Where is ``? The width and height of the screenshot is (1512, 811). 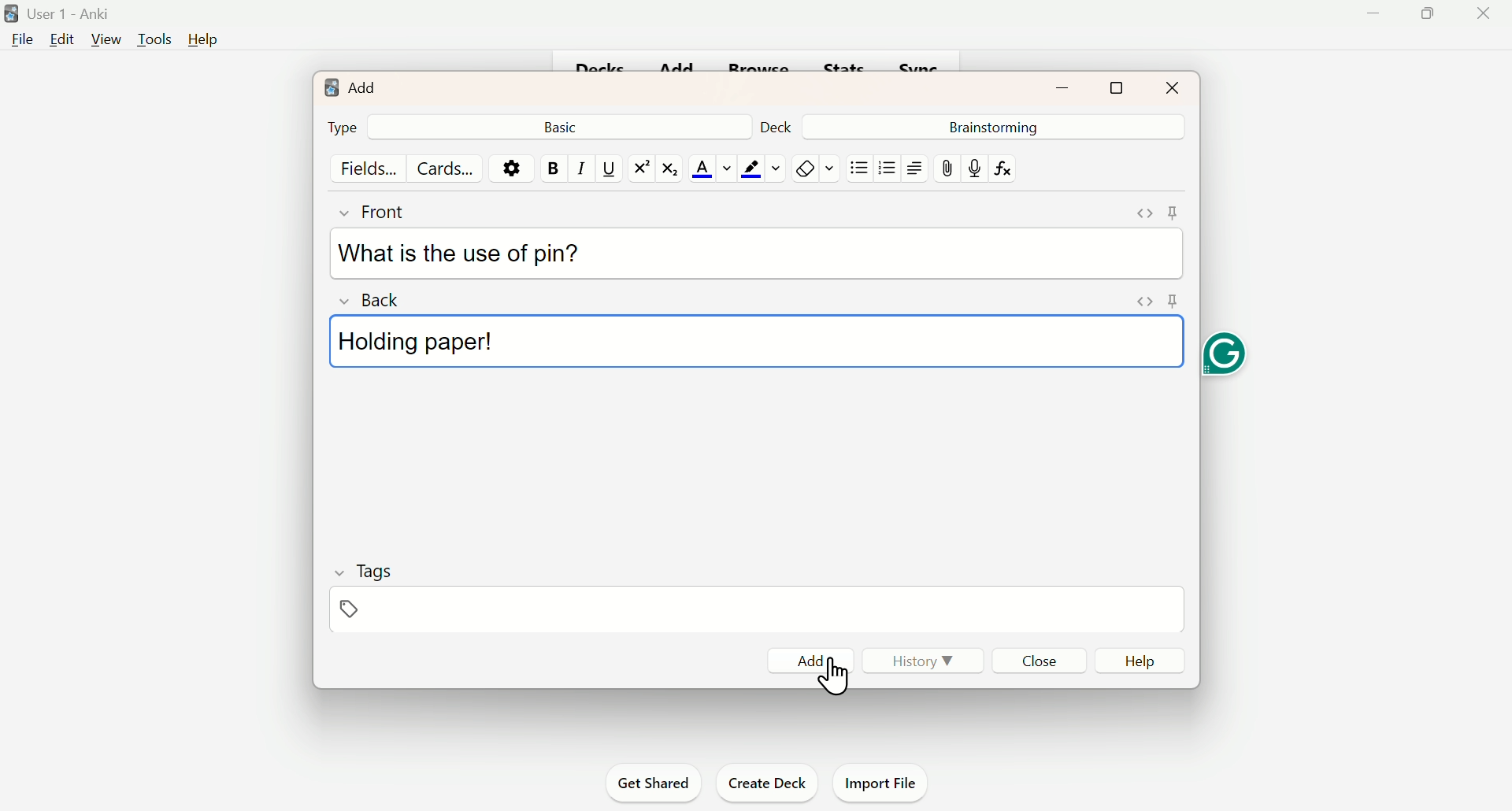  is located at coordinates (151, 36).